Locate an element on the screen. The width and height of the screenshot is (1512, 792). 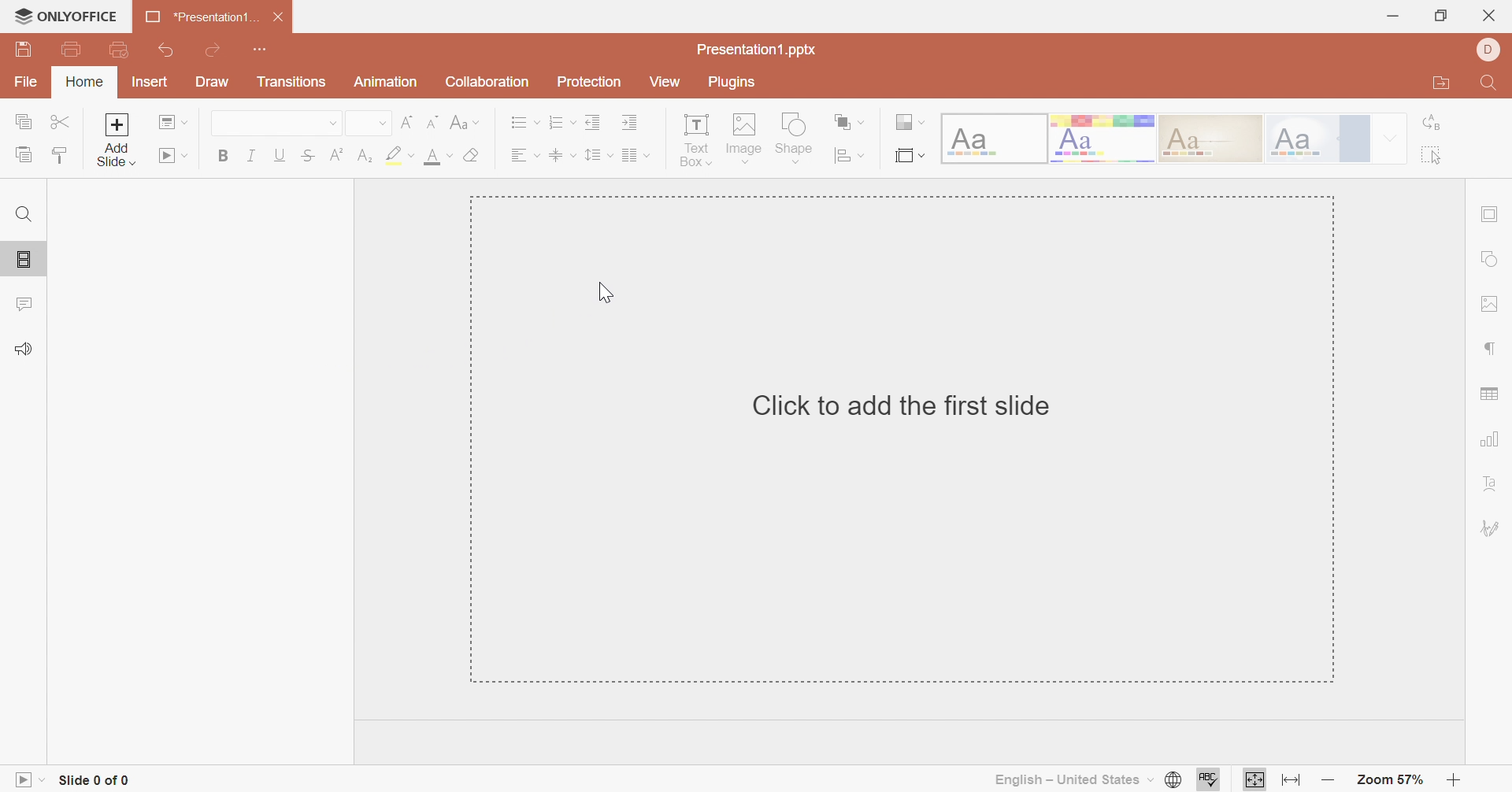
Drop Down is located at coordinates (450, 154).